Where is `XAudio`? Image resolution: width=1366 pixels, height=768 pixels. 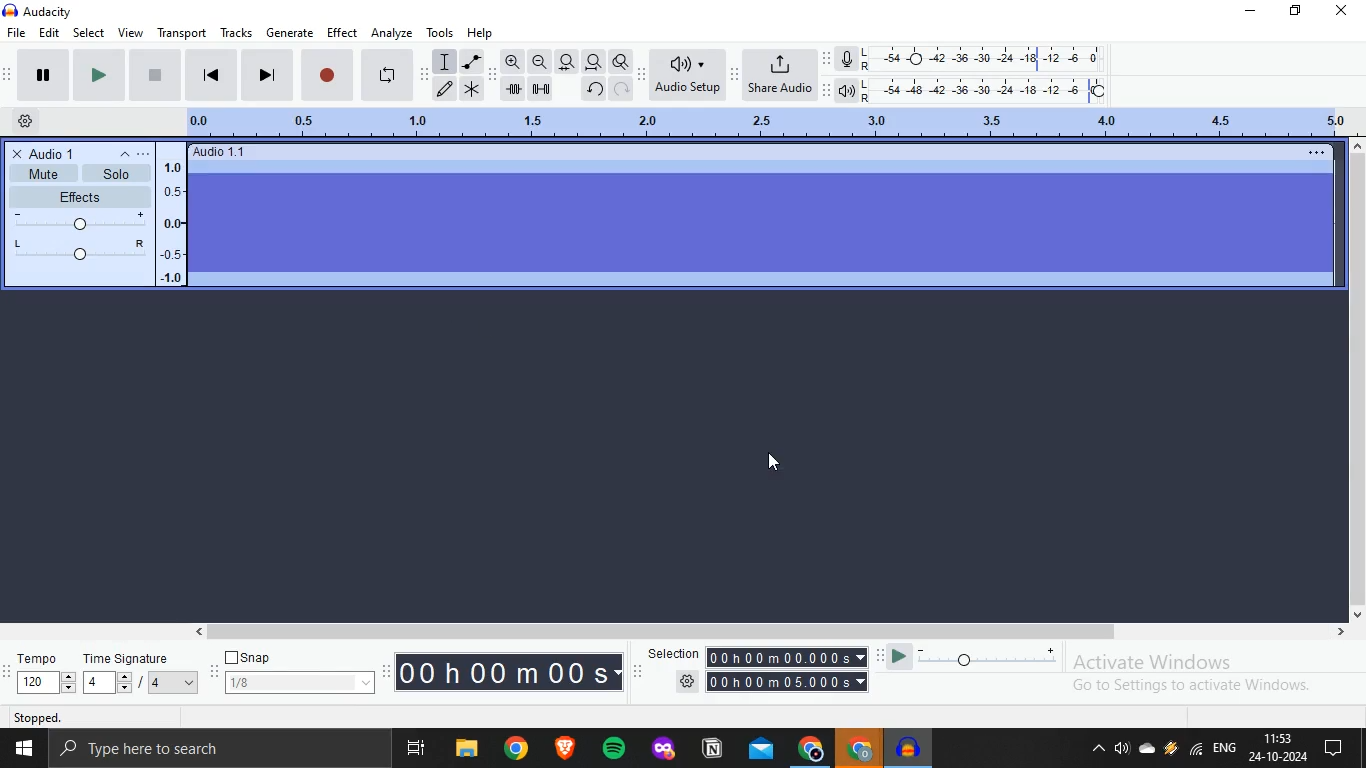 XAudio is located at coordinates (43, 152).